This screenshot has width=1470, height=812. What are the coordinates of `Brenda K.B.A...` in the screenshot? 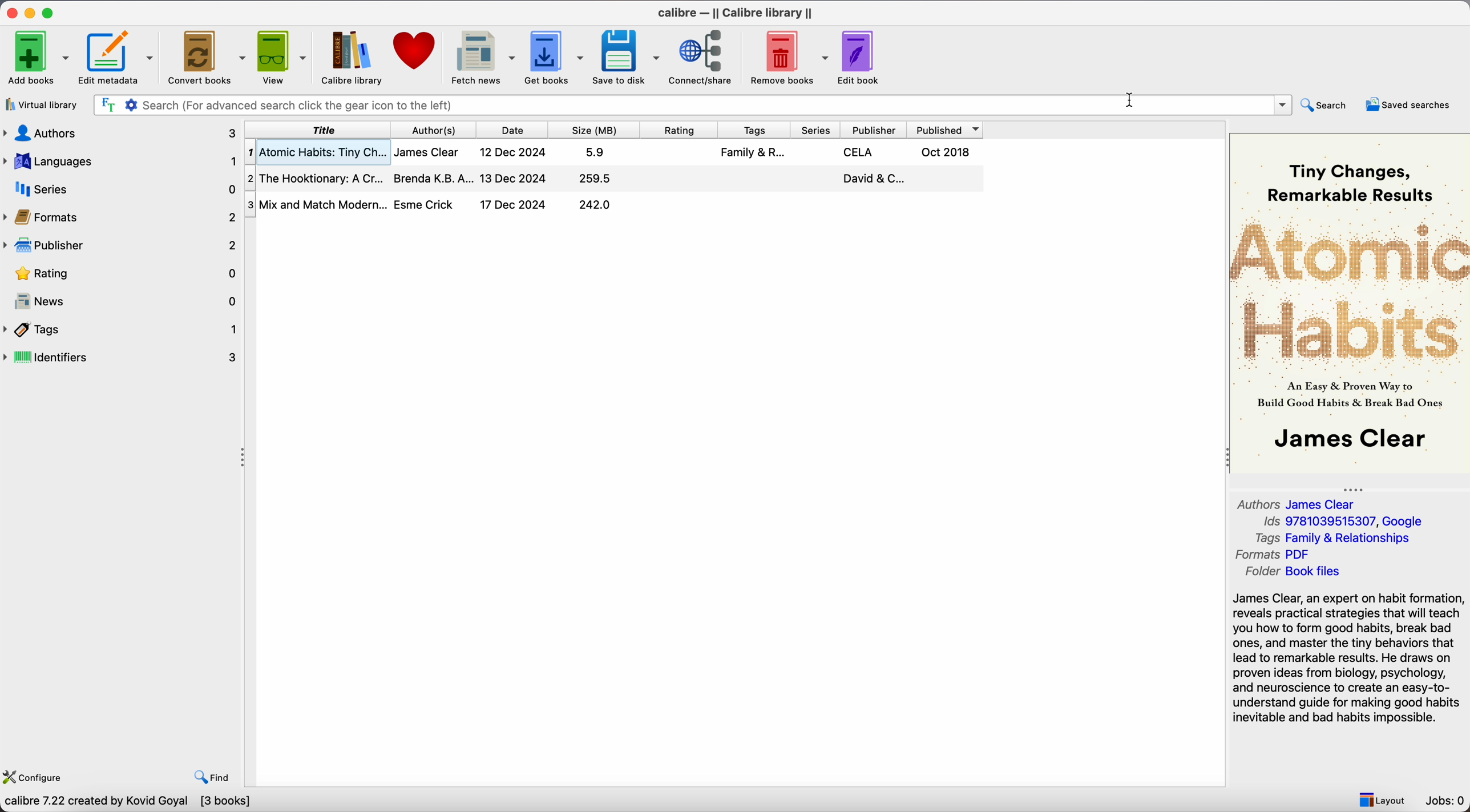 It's located at (434, 178).